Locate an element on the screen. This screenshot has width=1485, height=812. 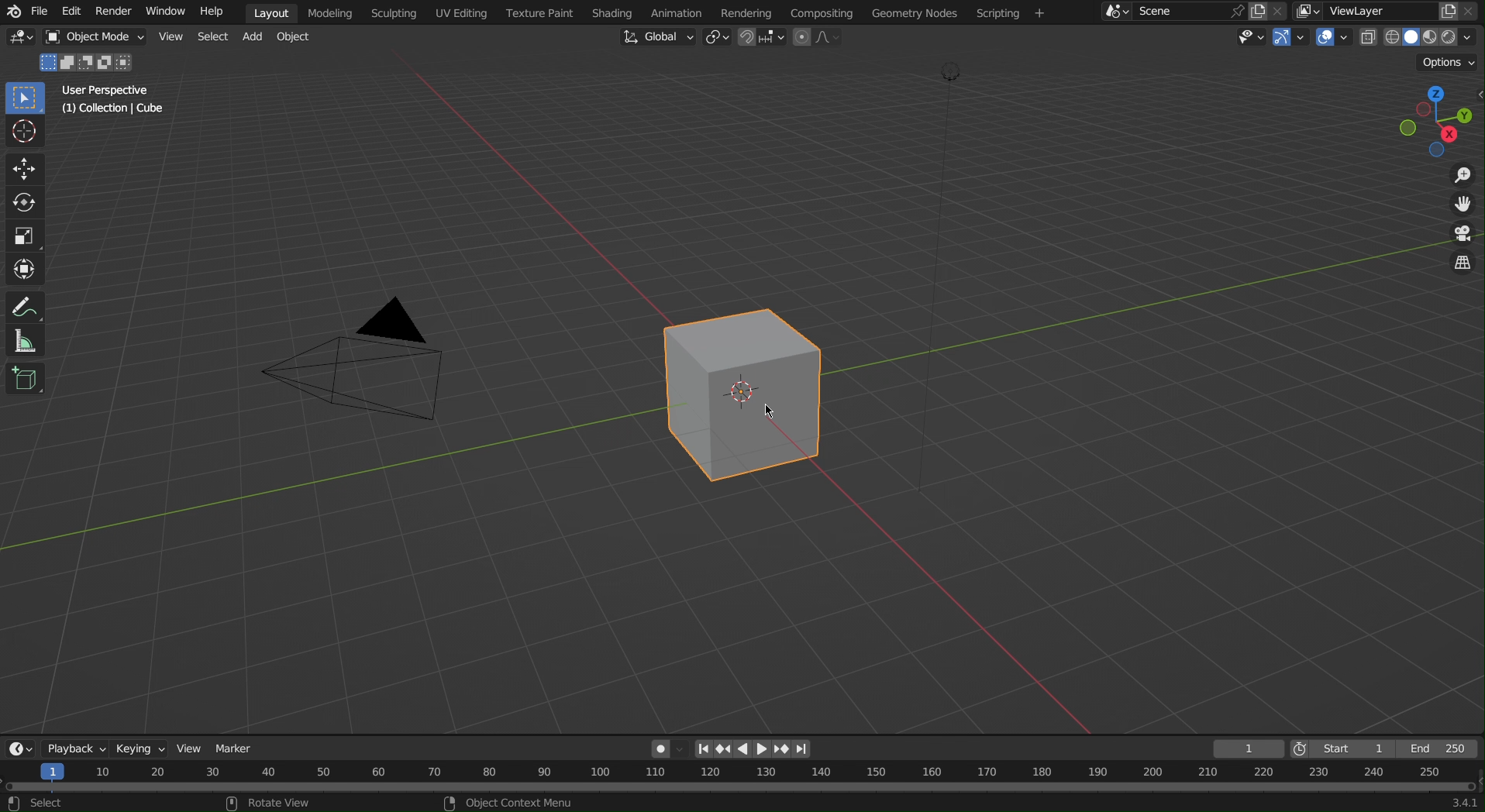
Camera is located at coordinates (360, 369).